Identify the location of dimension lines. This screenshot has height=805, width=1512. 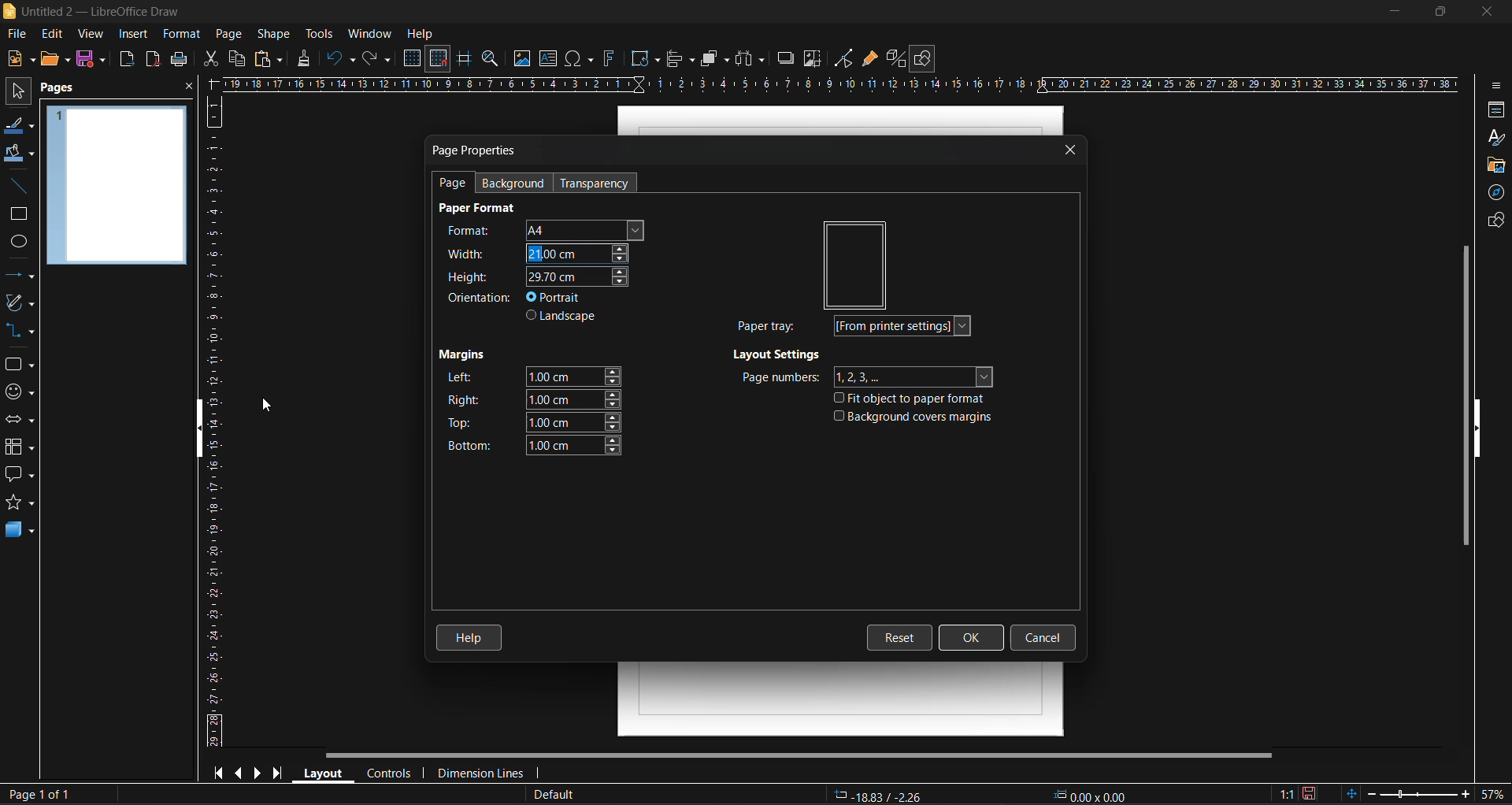
(485, 772).